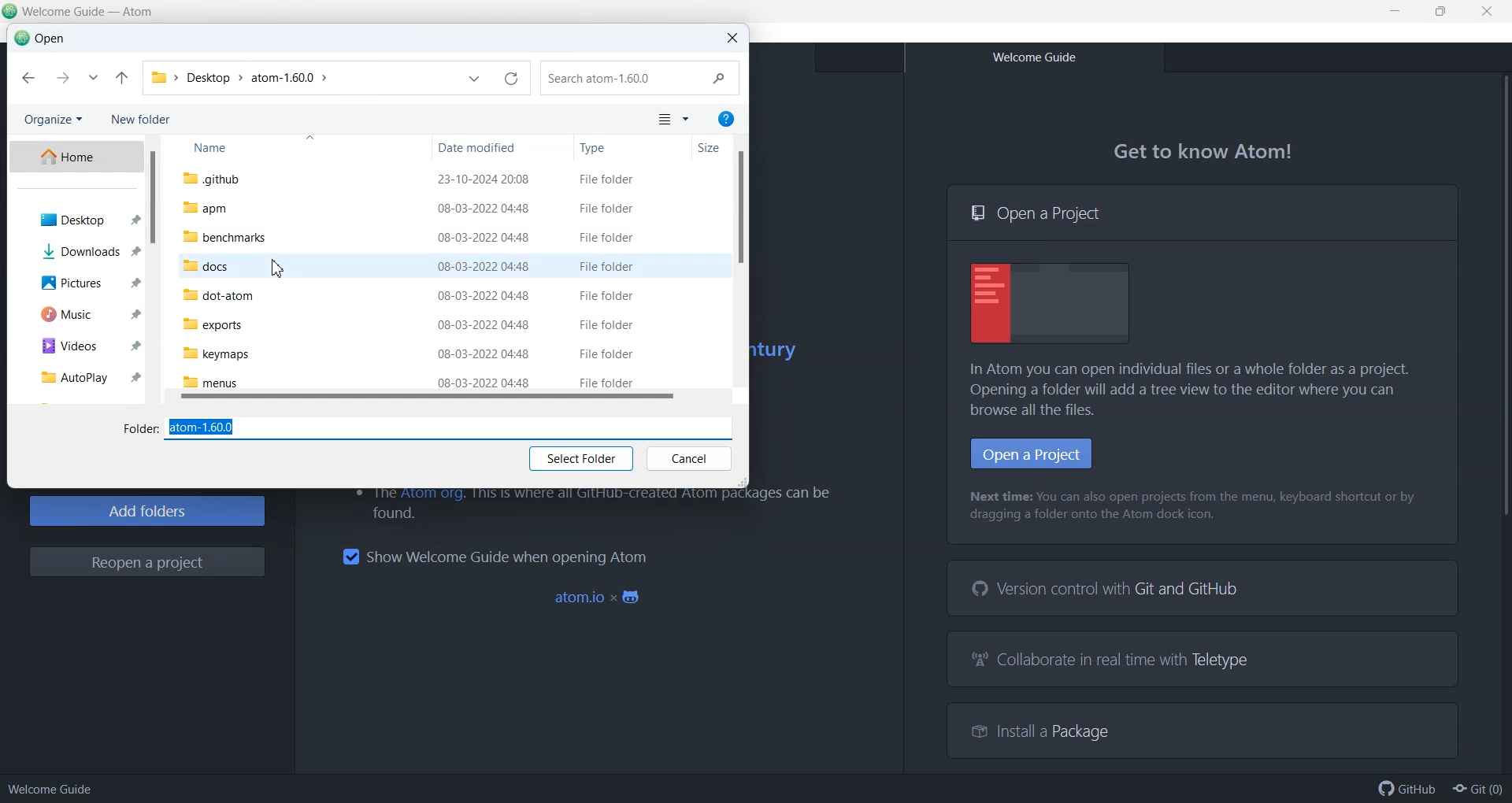 The height and width of the screenshot is (803, 1512). What do you see at coordinates (717, 149) in the screenshot?
I see `Size` at bounding box center [717, 149].